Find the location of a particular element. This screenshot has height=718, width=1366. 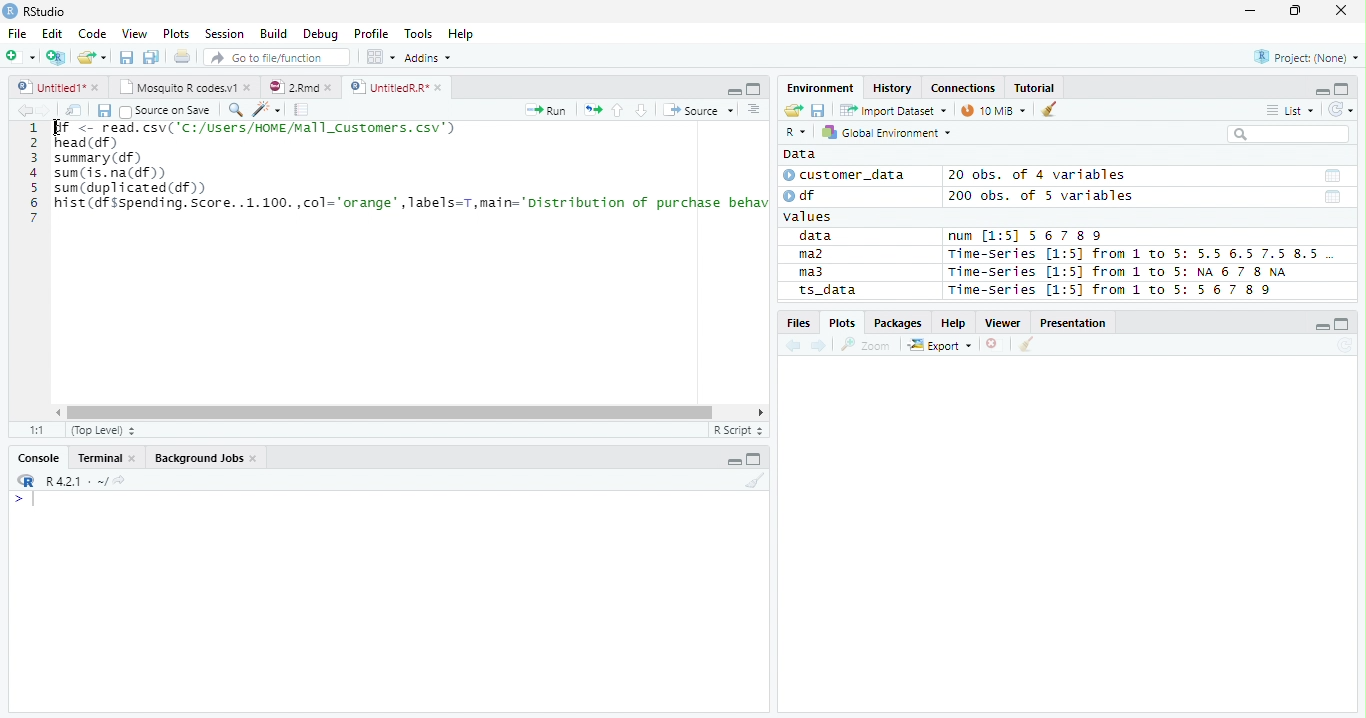

Previous is located at coordinates (22, 110).